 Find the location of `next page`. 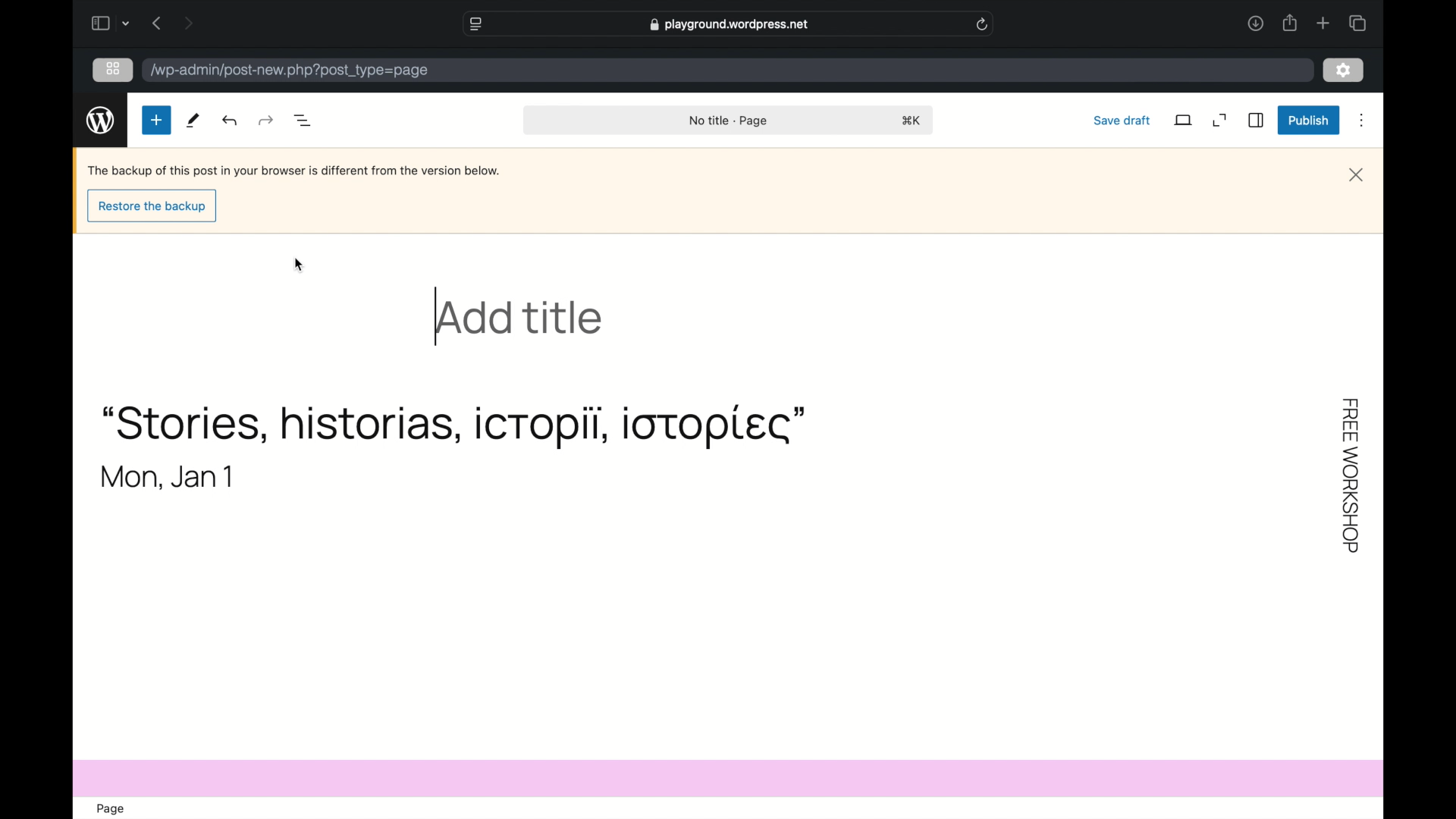

next page is located at coordinates (188, 22).